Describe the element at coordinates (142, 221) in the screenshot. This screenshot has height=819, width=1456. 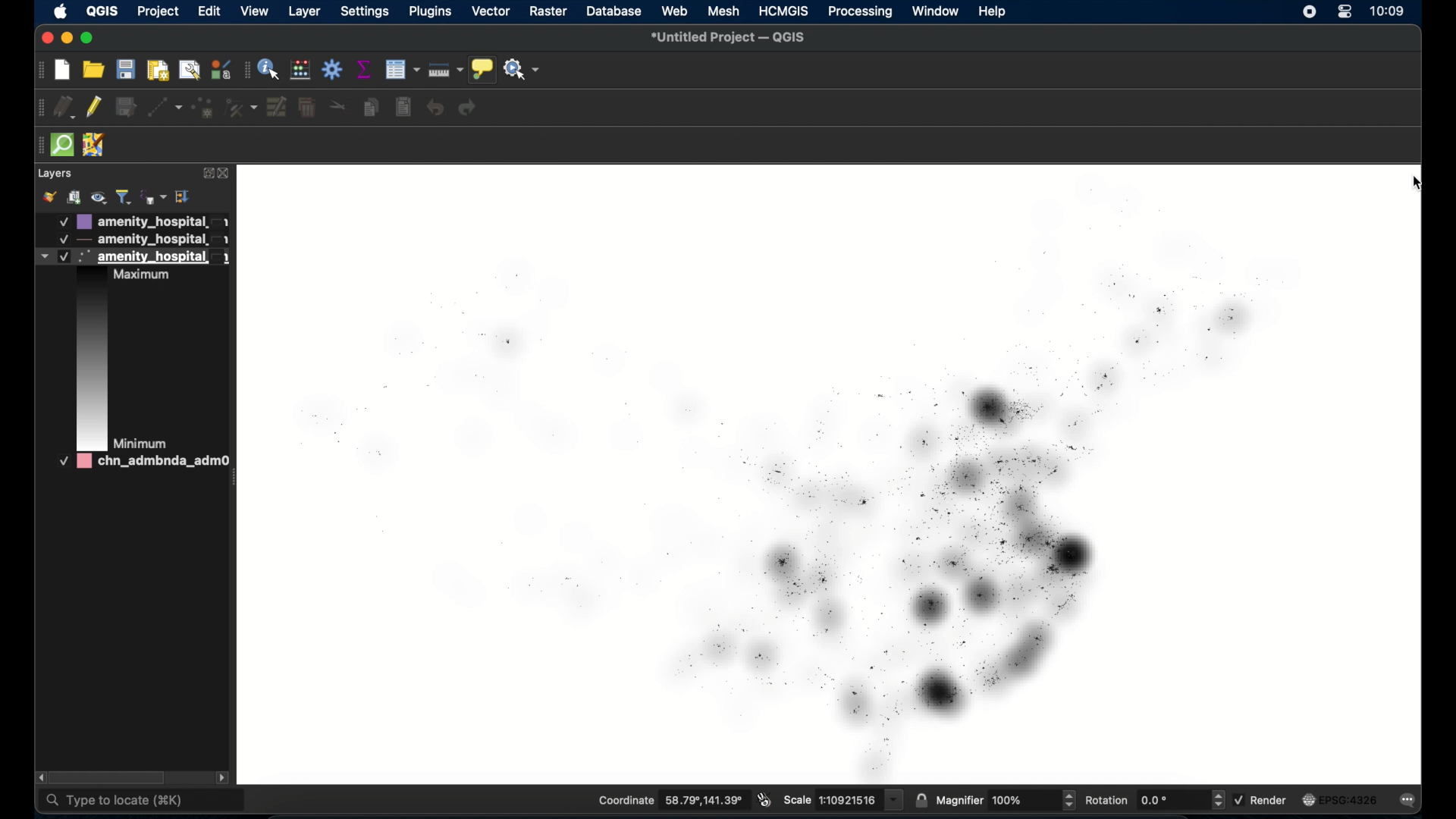
I see `layer 1` at that location.